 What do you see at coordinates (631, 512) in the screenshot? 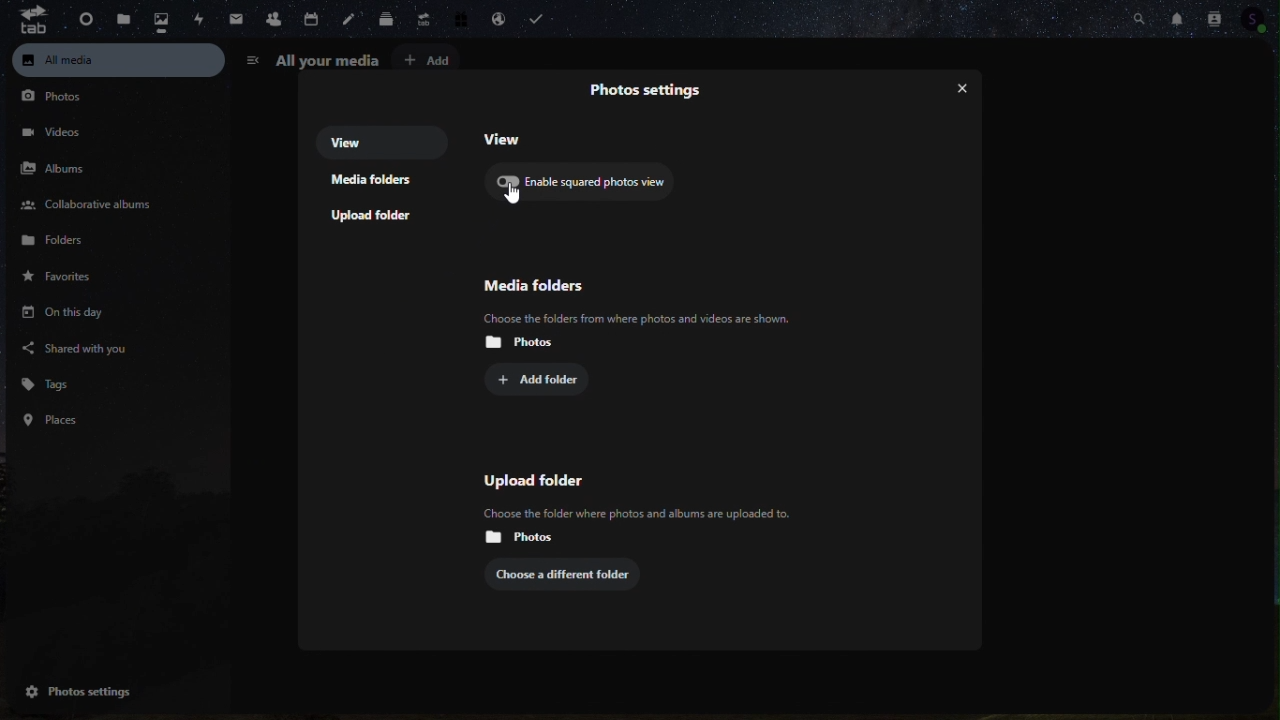
I see `Choose the folder where photos and albums are uploaded to.` at bounding box center [631, 512].